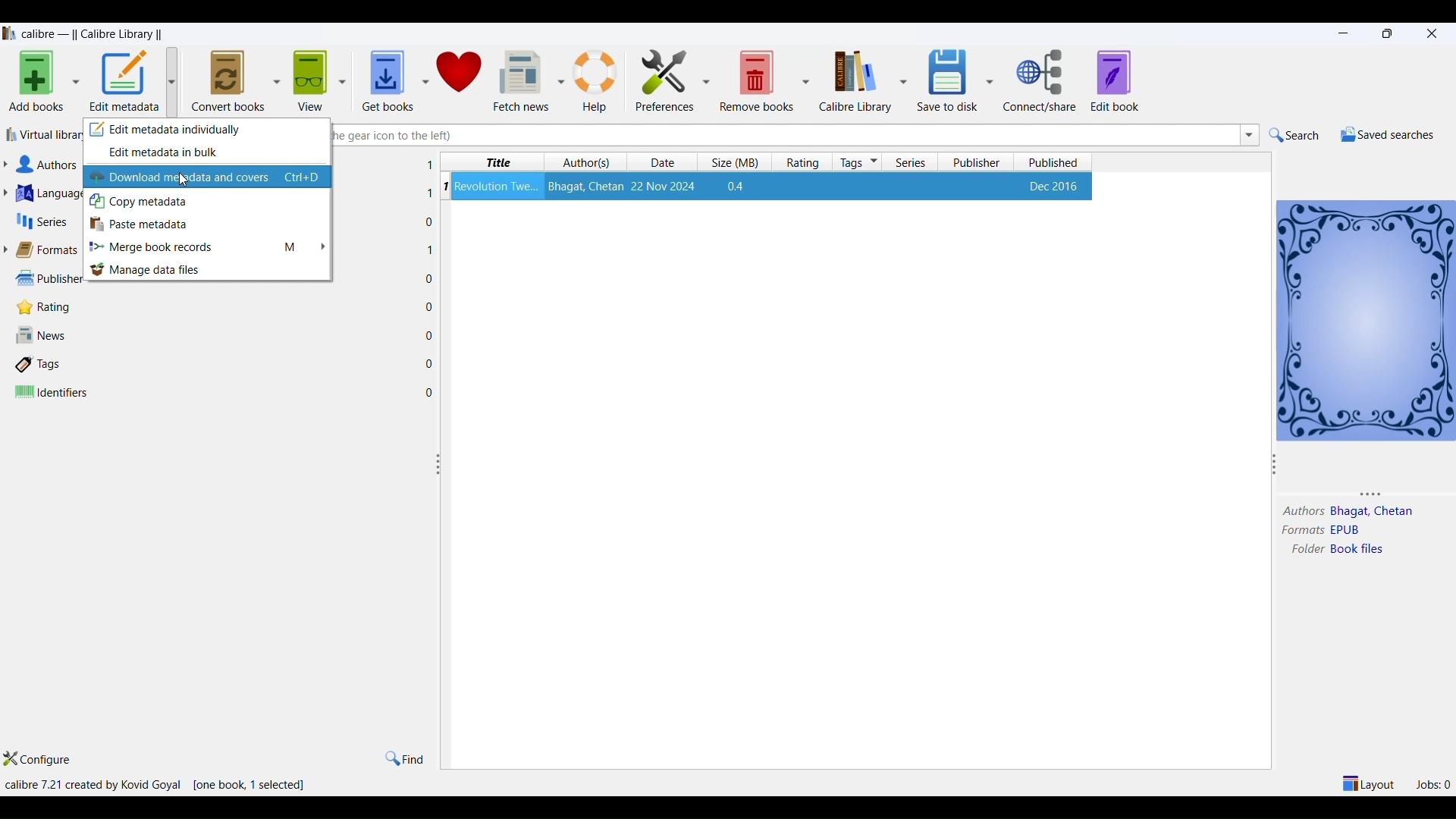  I want to click on calibre library, so click(855, 80).